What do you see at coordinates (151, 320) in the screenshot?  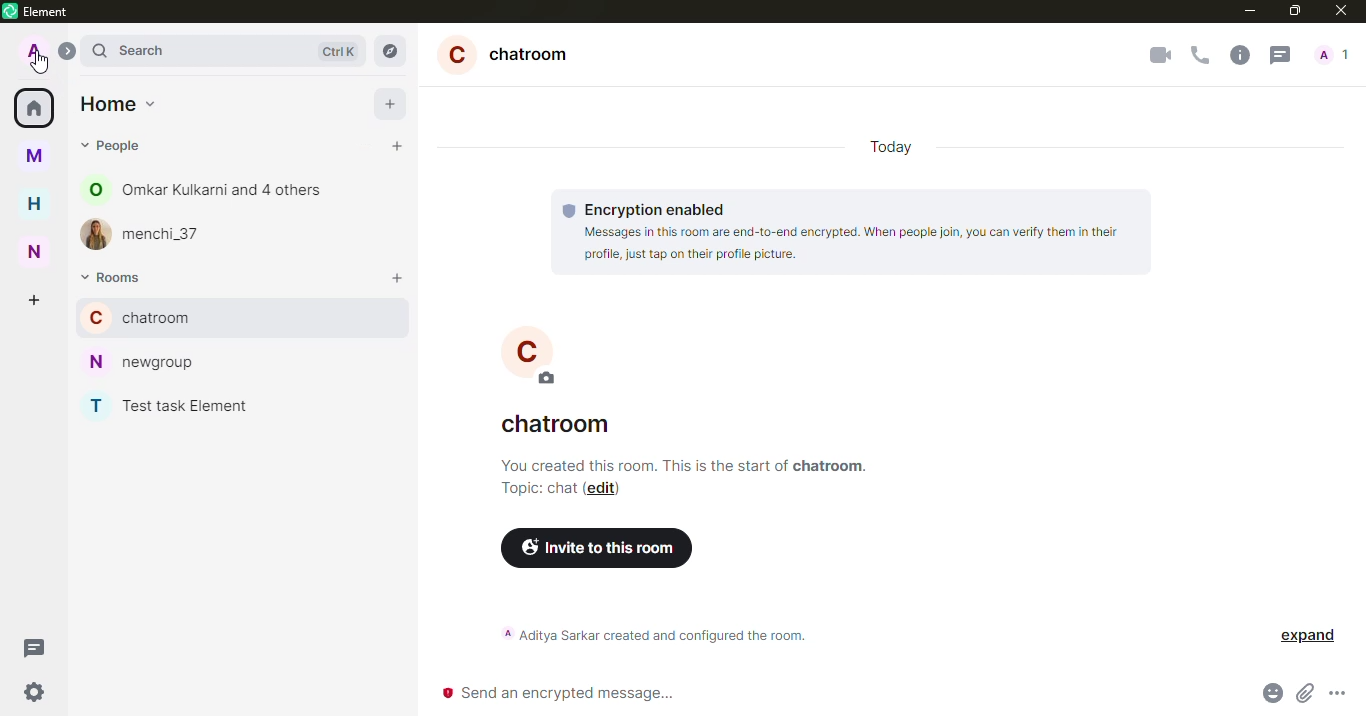 I see `chatroom` at bounding box center [151, 320].